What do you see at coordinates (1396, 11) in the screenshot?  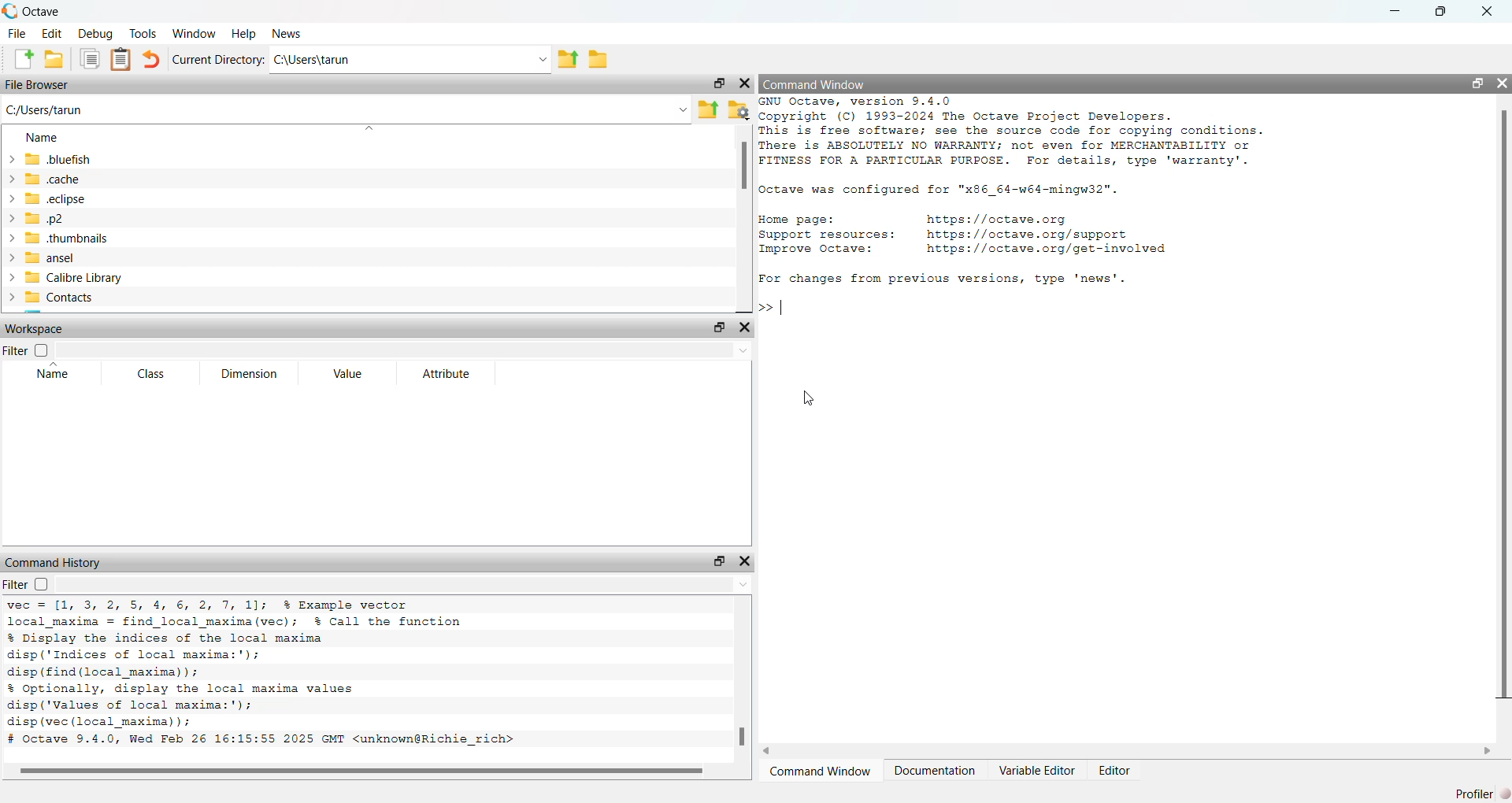 I see `minimize` at bounding box center [1396, 11].